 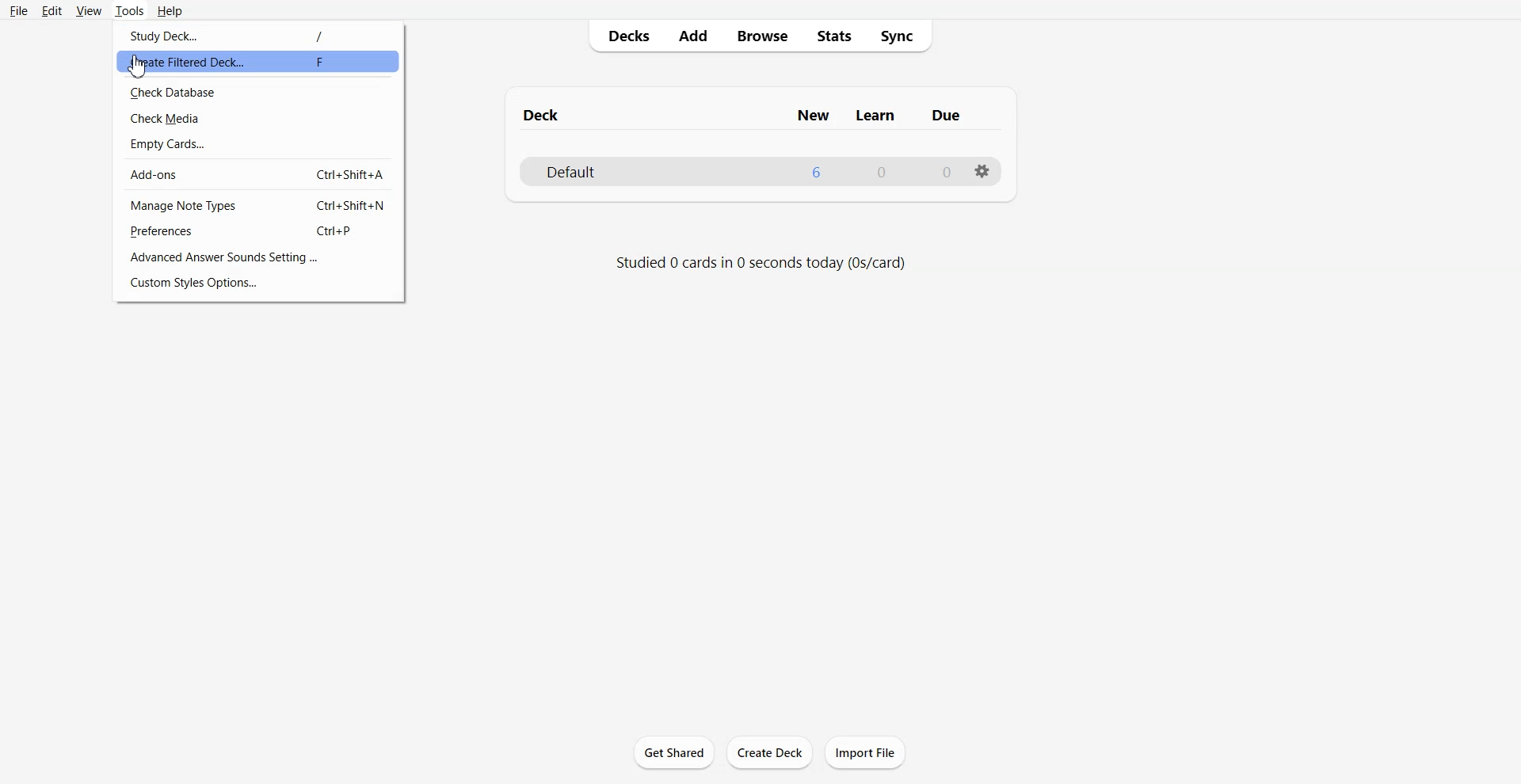 What do you see at coordinates (865, 752) in the screenshot?
I see `Import File` at bounding box center [865, 752].